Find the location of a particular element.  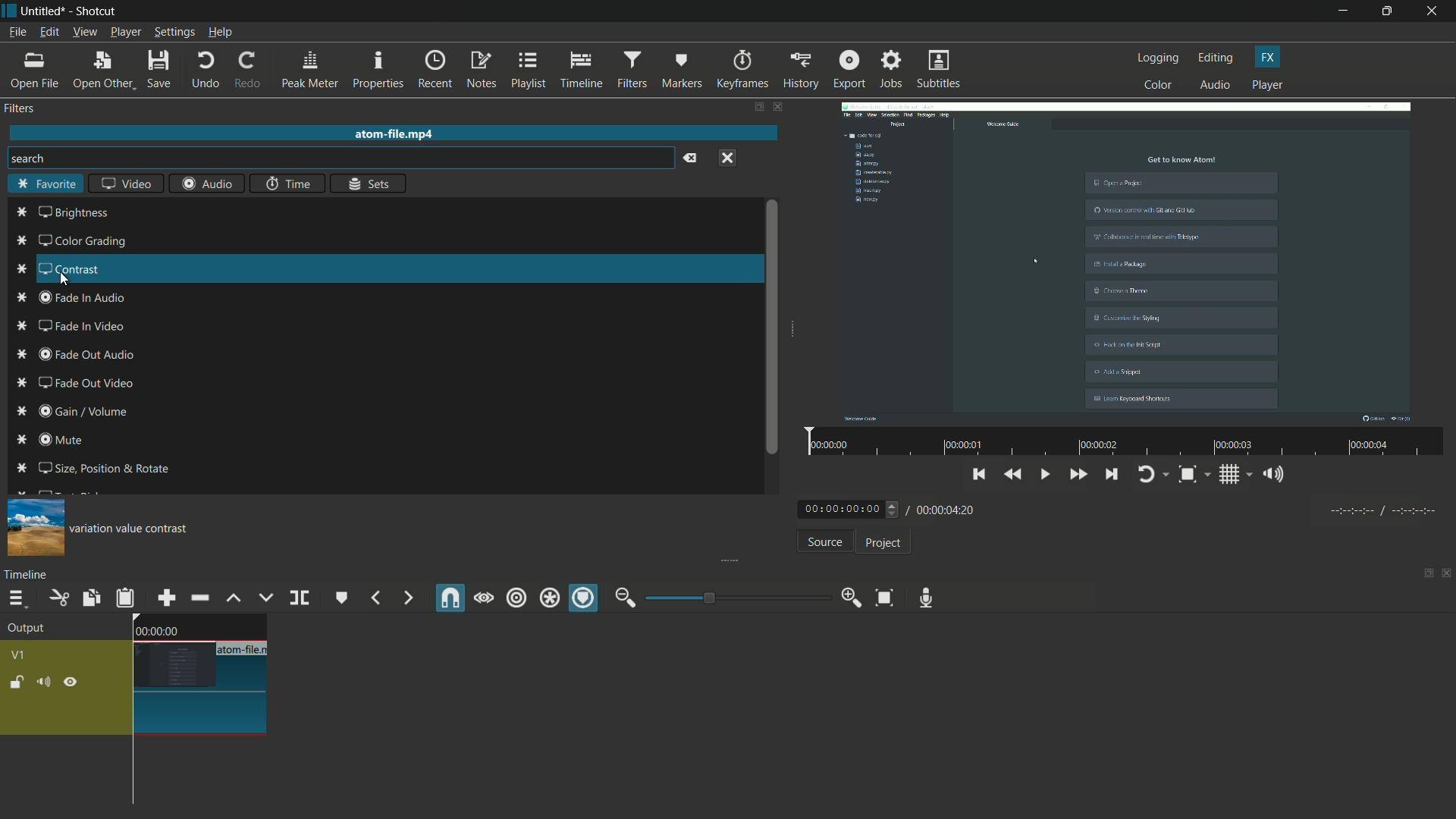

output is located at coordinates (31, 629).